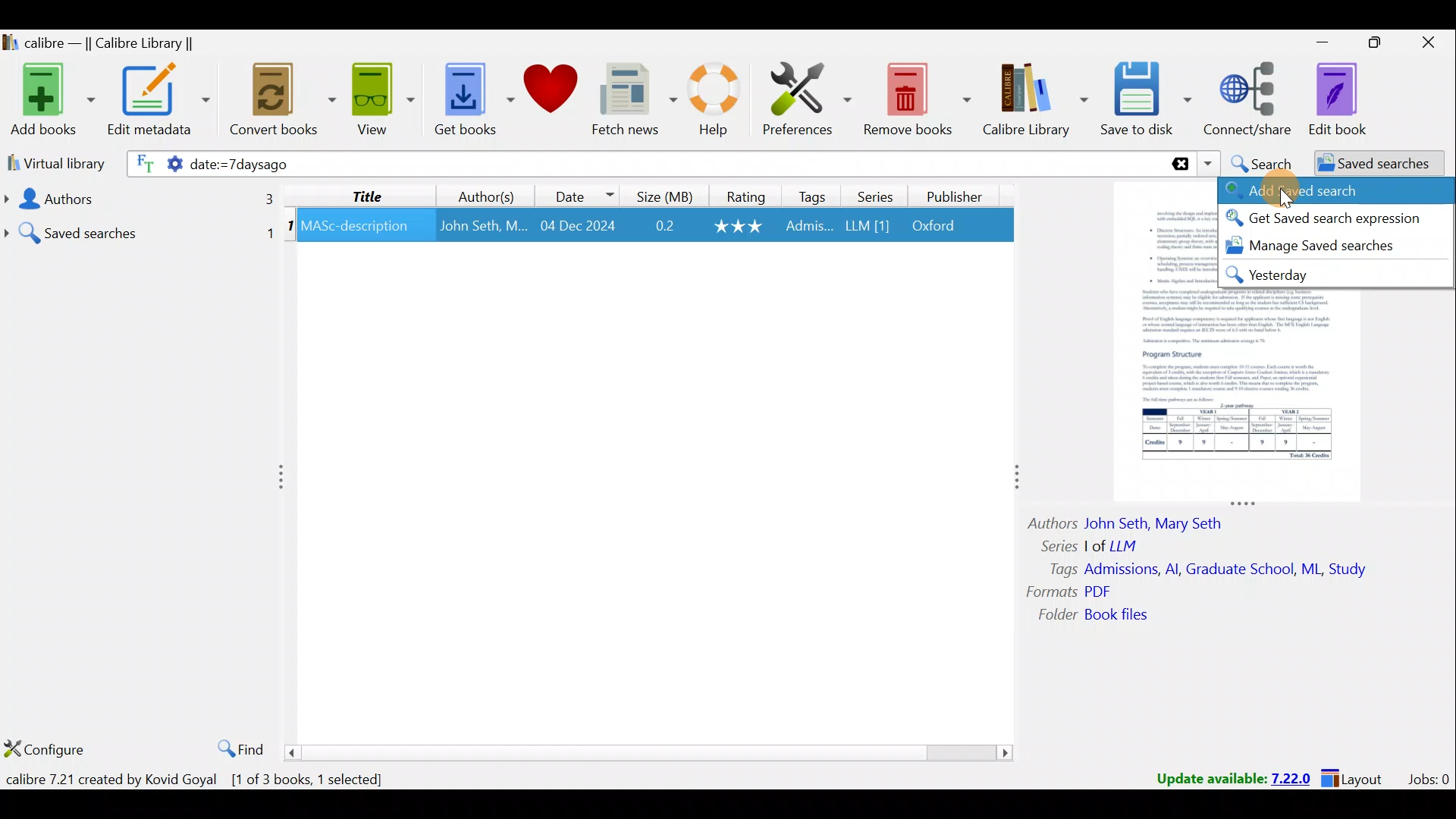 The image size is (1456, 819). I want to click on calibre — || Calibre Library ||, so click(118, 42).